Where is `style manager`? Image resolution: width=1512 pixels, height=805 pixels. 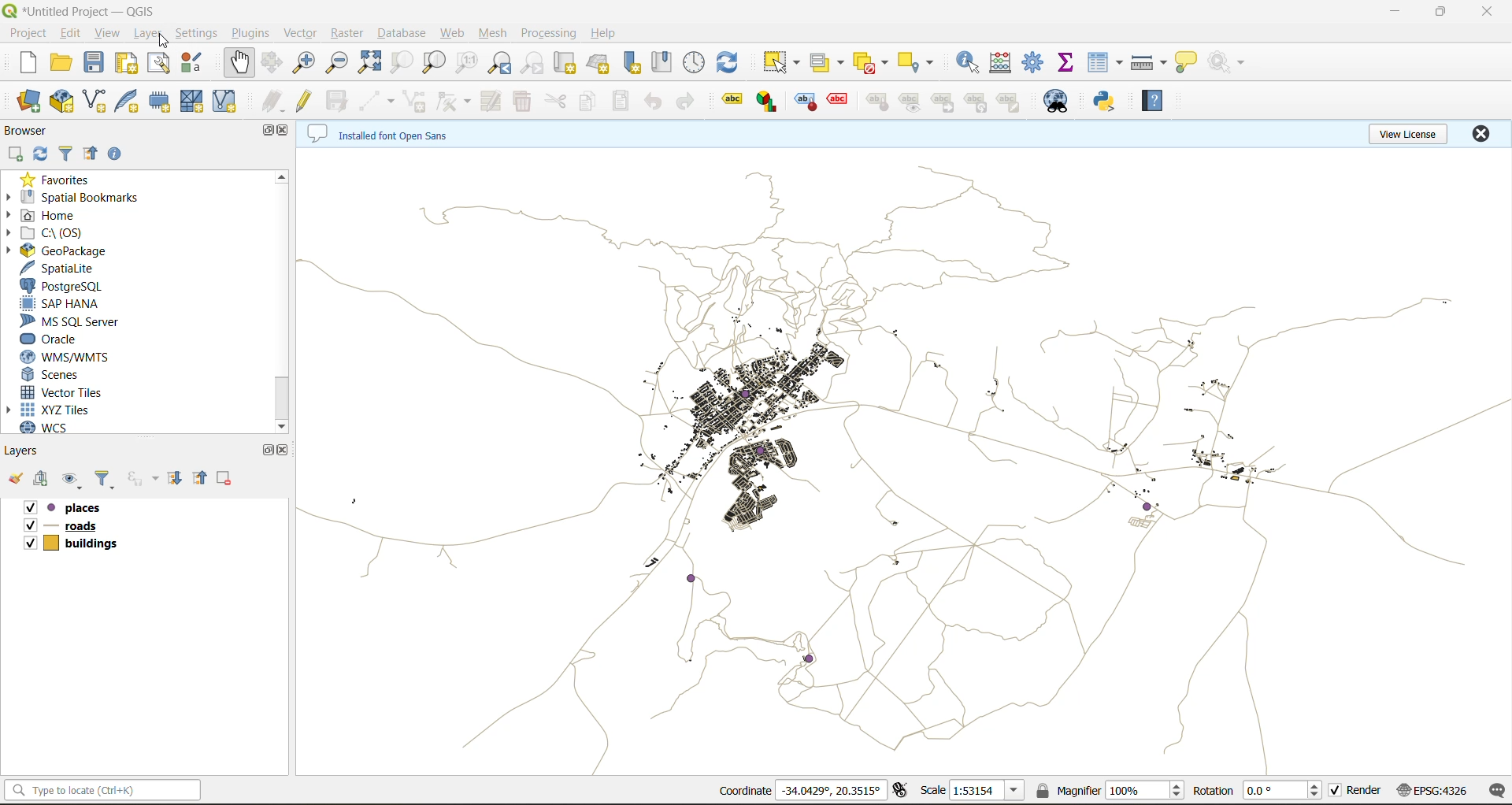
style manager is located at coordinates (196, 64).